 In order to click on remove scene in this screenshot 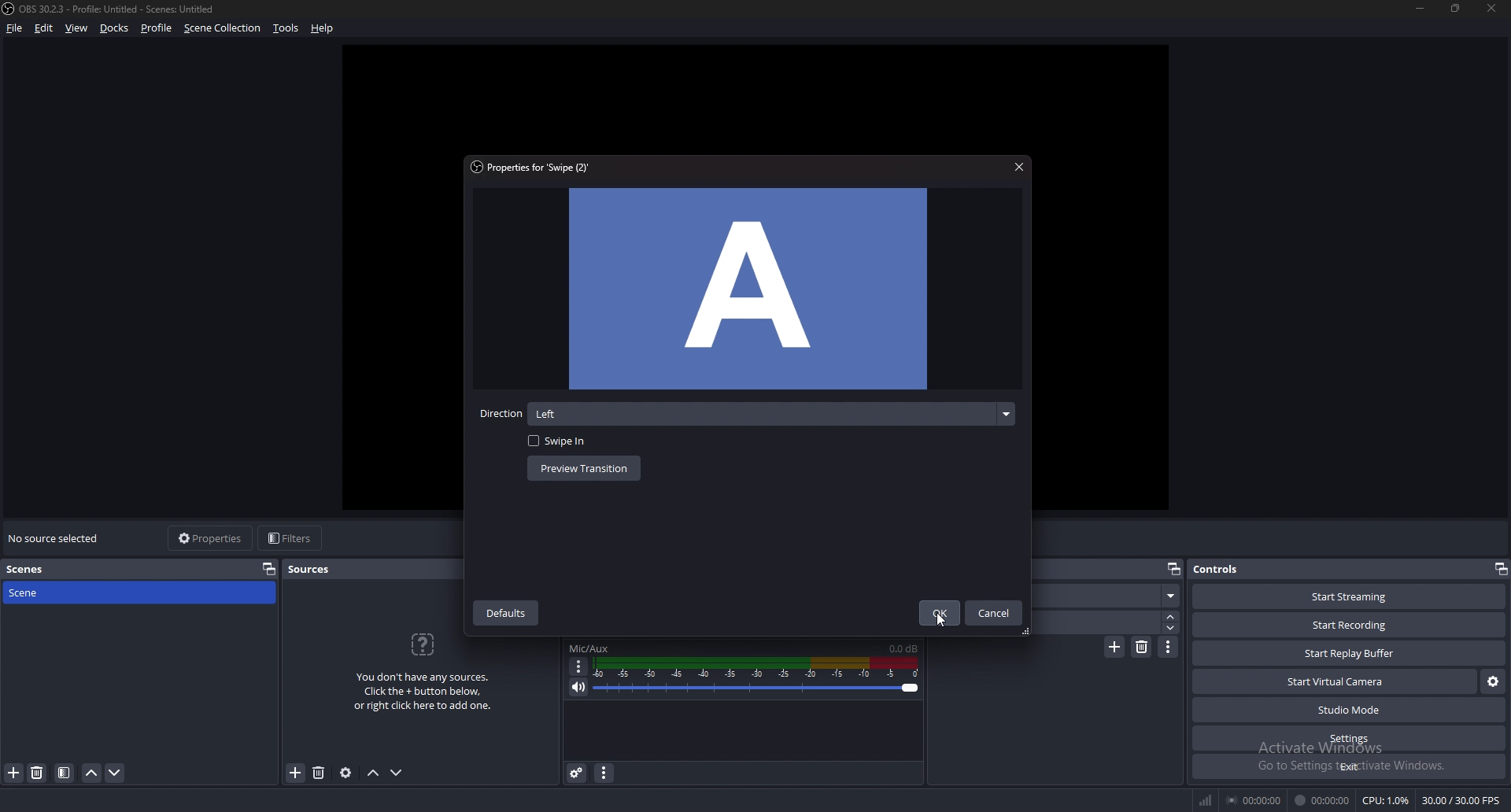, I will do `click(39, 772)`.